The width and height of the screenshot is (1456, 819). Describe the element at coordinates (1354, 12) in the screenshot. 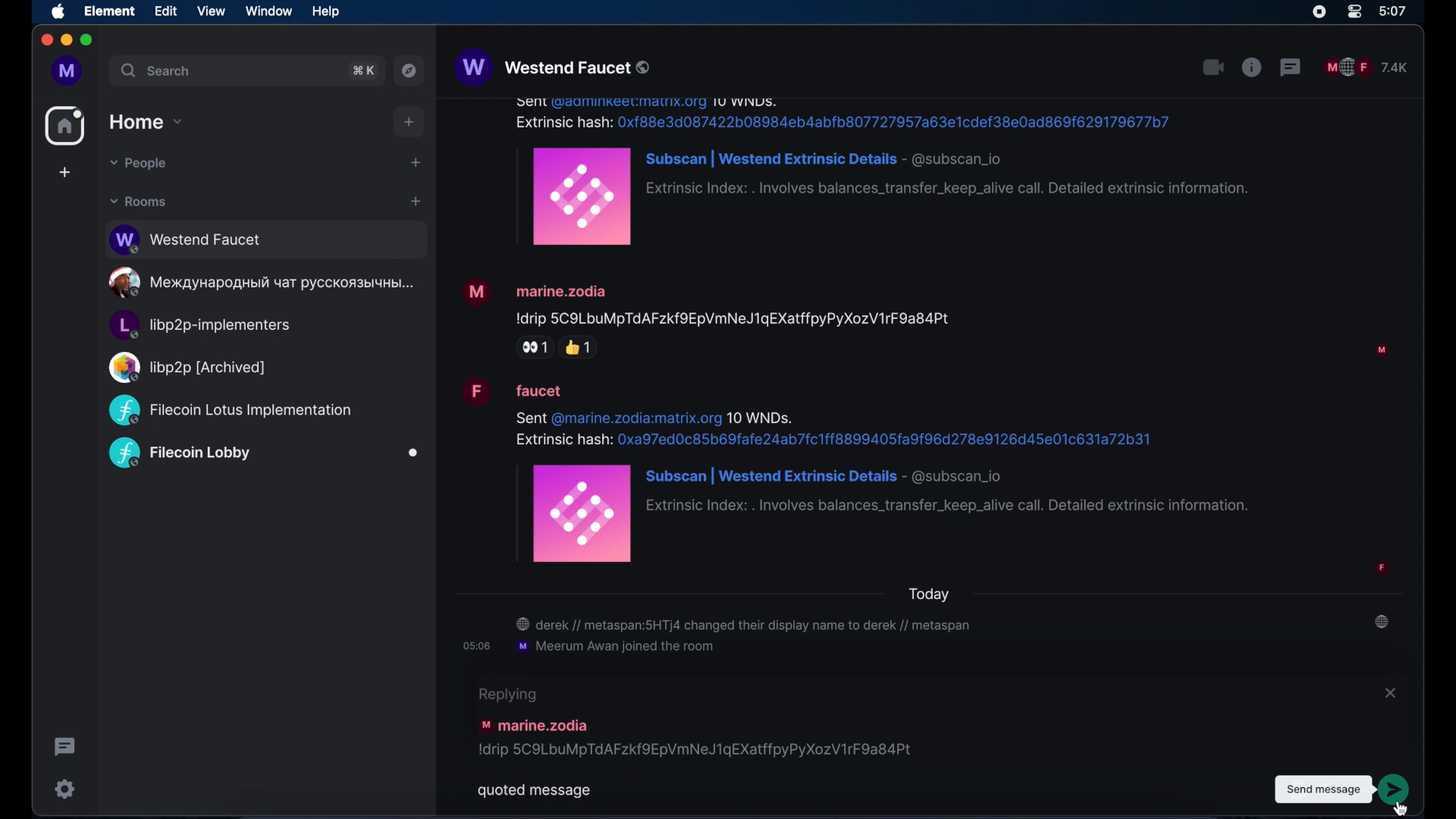

I see `control center` at that location.